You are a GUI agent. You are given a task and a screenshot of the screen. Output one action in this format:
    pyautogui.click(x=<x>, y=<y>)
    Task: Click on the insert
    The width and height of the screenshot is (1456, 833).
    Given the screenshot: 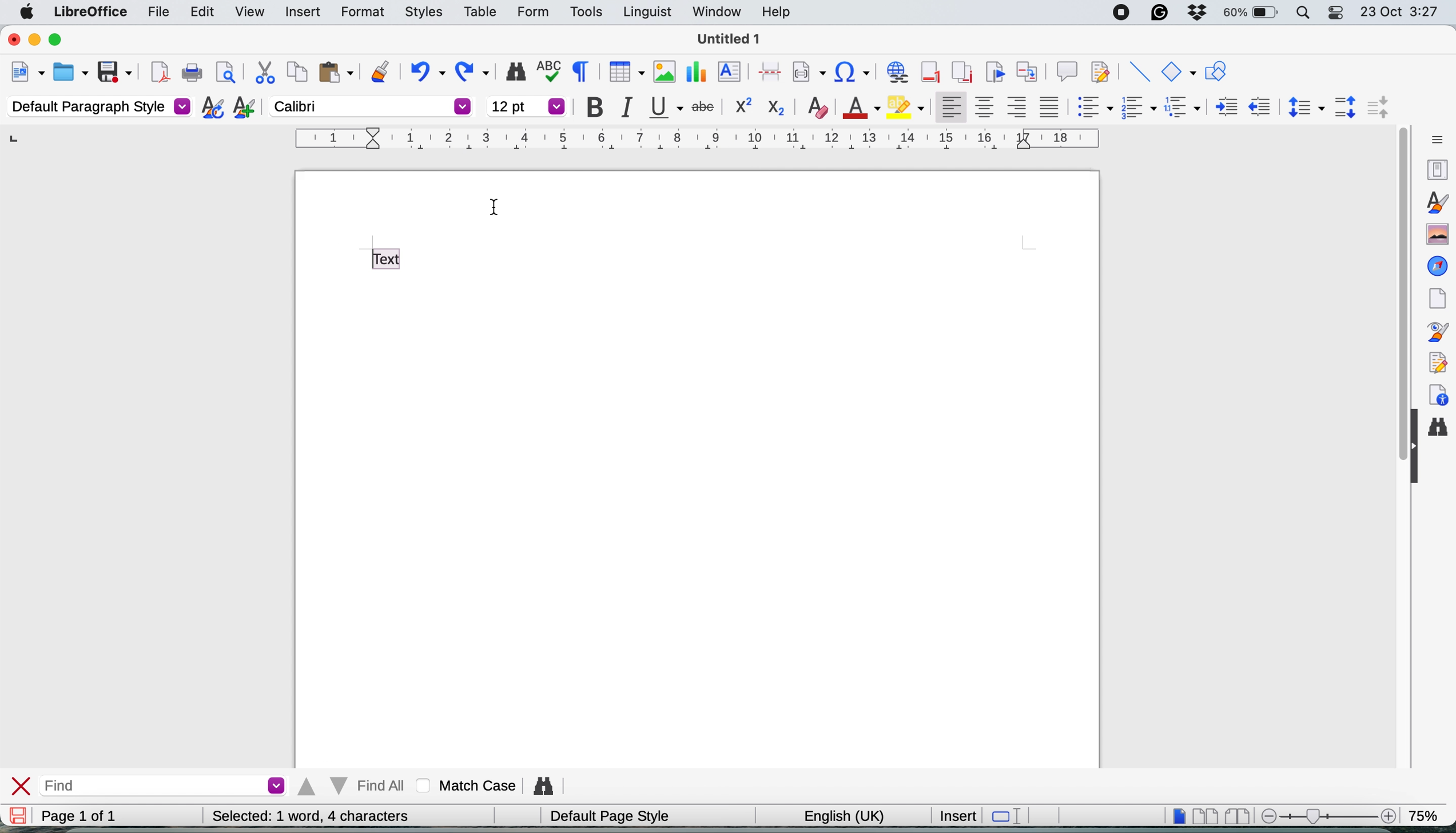 What is the action you would take?
    pyautogui.click(x=957, y=815)
    